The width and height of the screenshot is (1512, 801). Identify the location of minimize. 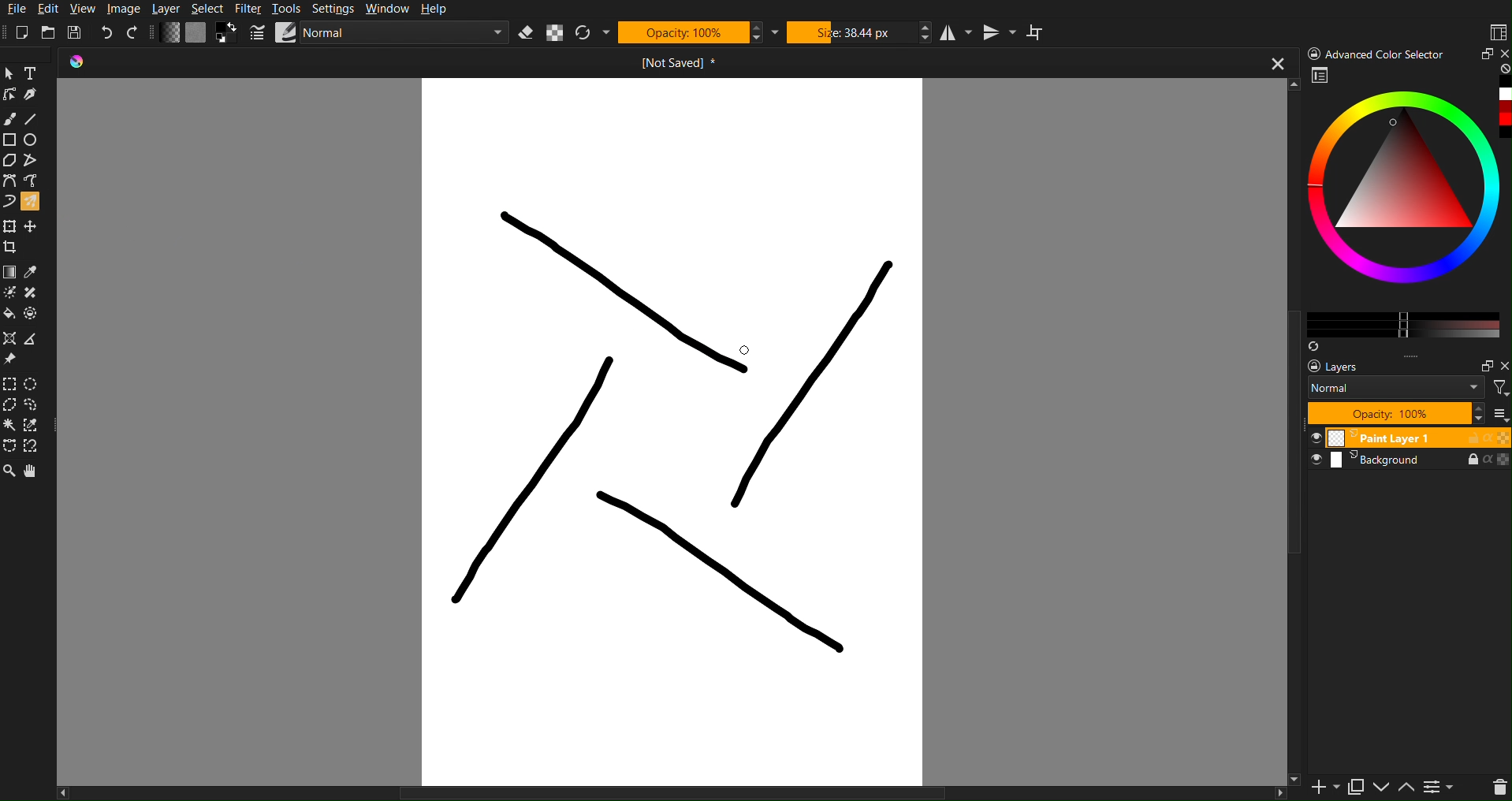
(1481, 363).